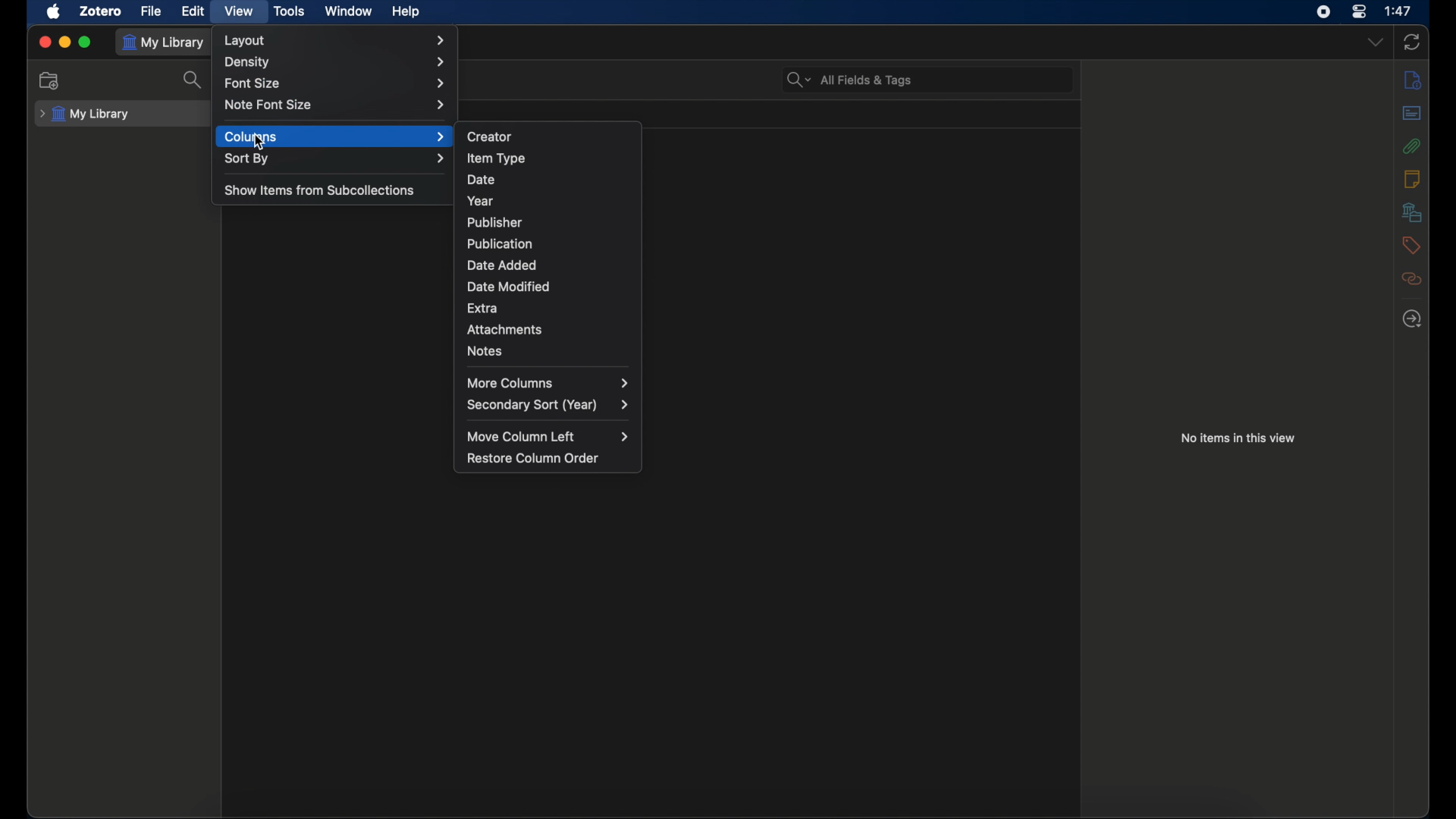 The image size is (1456, 819). Describe the element at coordinates (1414, 80) in the screenshot. I see `info` at that location.